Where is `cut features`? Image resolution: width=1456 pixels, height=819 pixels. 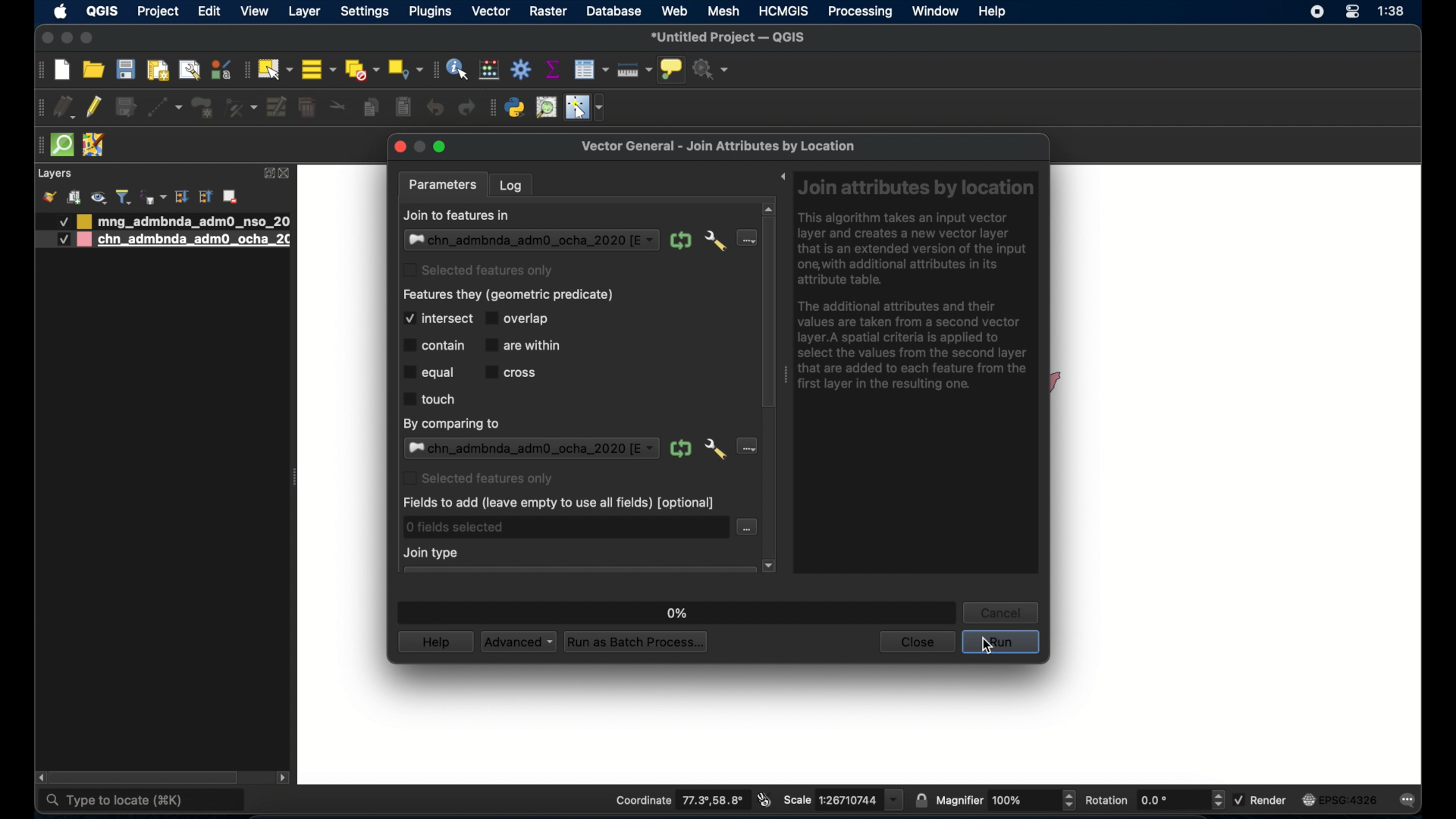 cut features is located at coordinates (338, 106).